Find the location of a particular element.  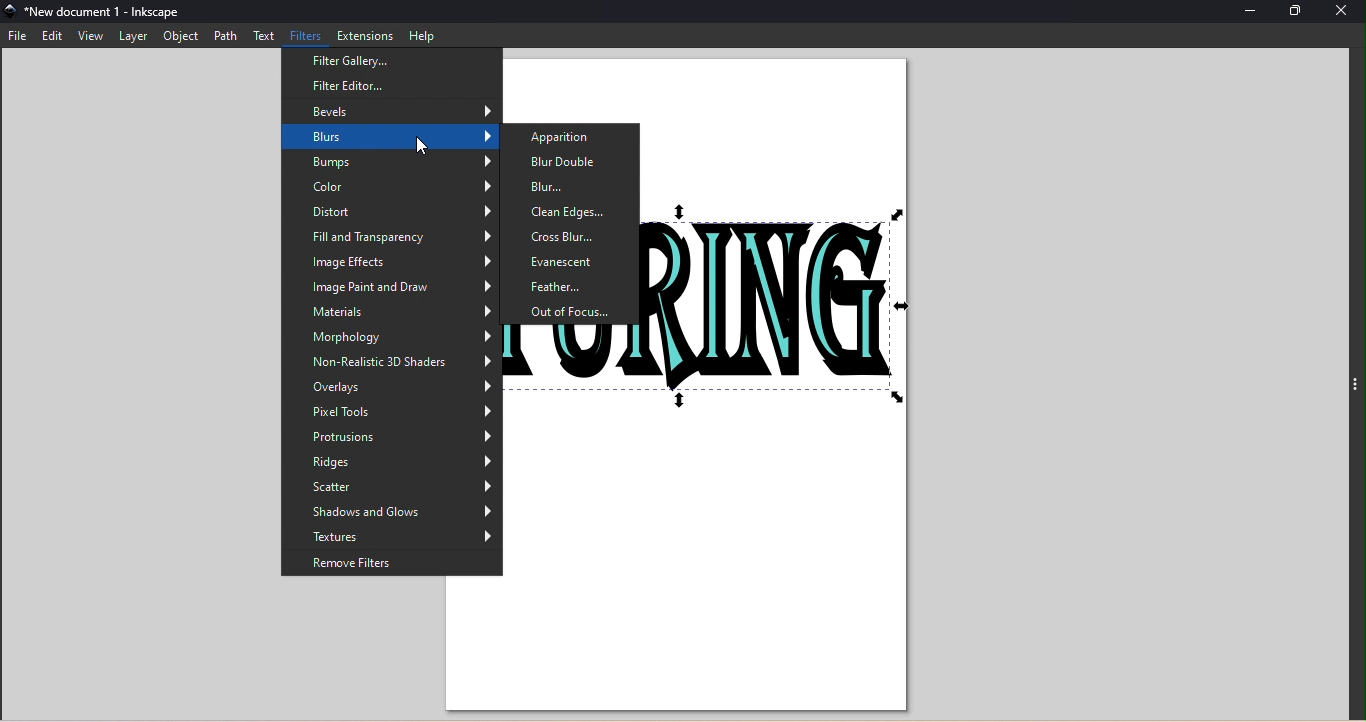

Minimize is located at coordinates (1253, 13).